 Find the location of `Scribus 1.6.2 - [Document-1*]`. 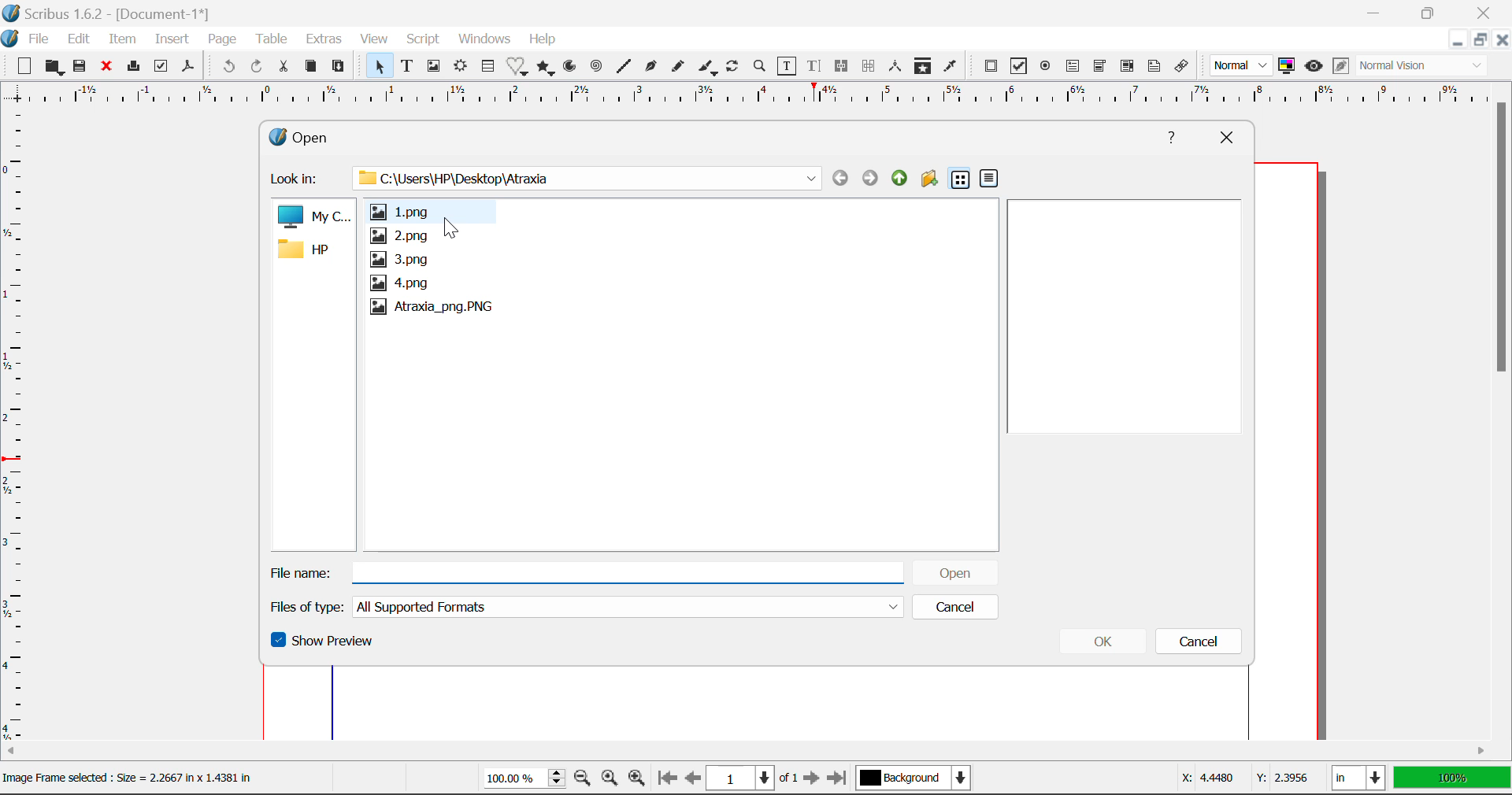

Scribus 1.6.2 - [Document-1*] is located at coordinates (110, 13).